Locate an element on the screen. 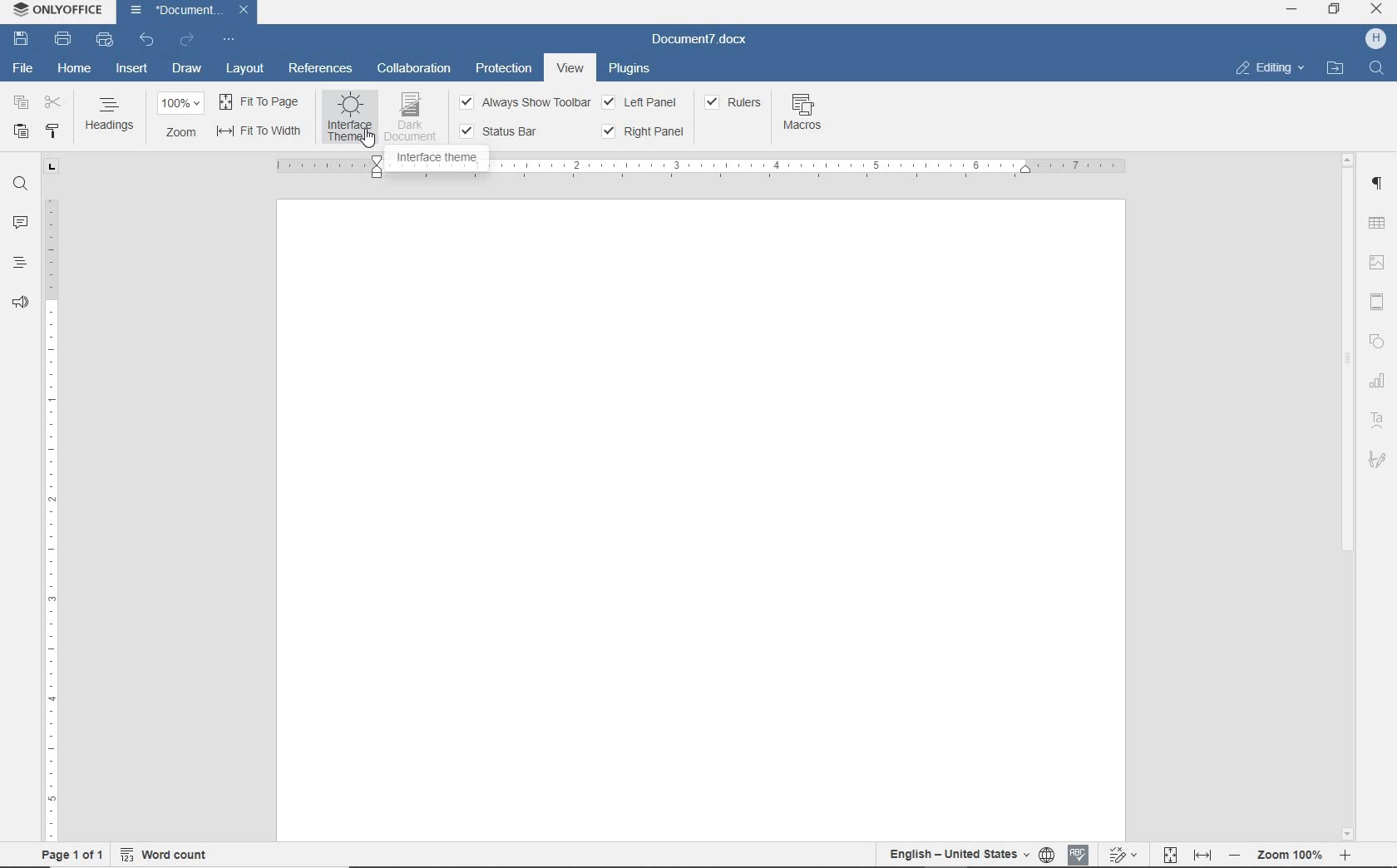  HEADINGS is located at coordinates (111, 116).